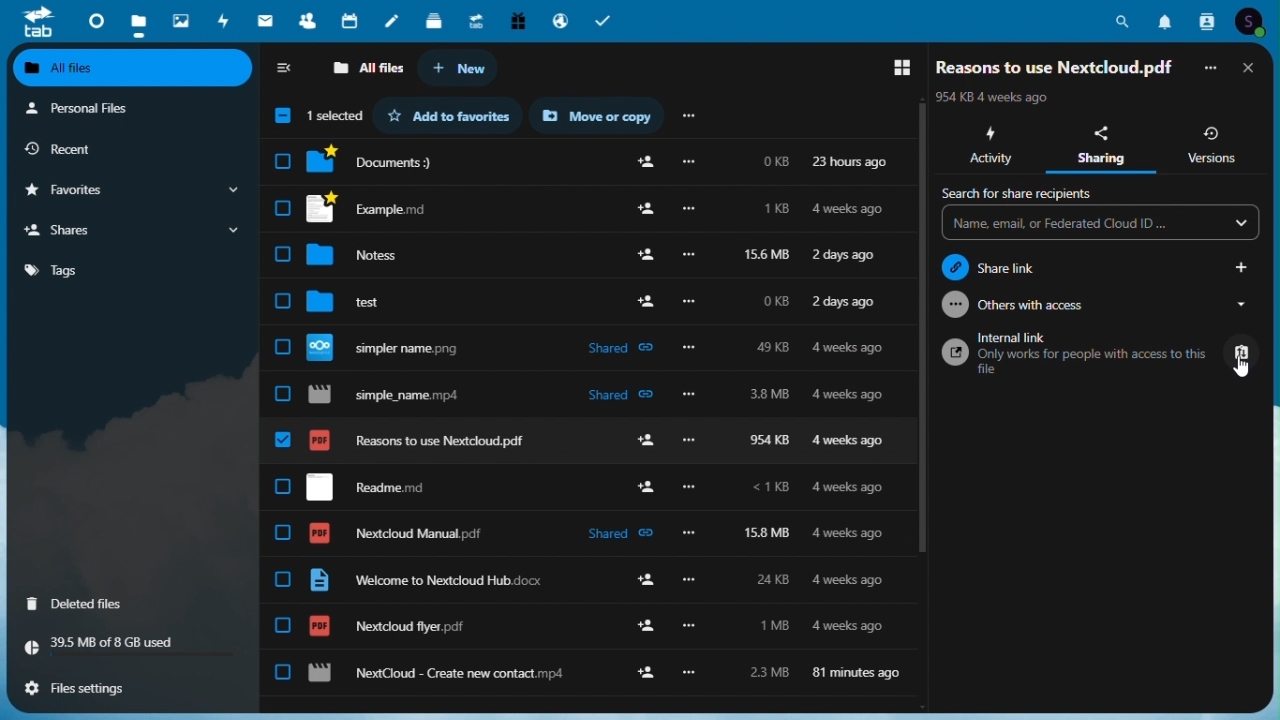  I want to click on checkbox, so click(283, 672).